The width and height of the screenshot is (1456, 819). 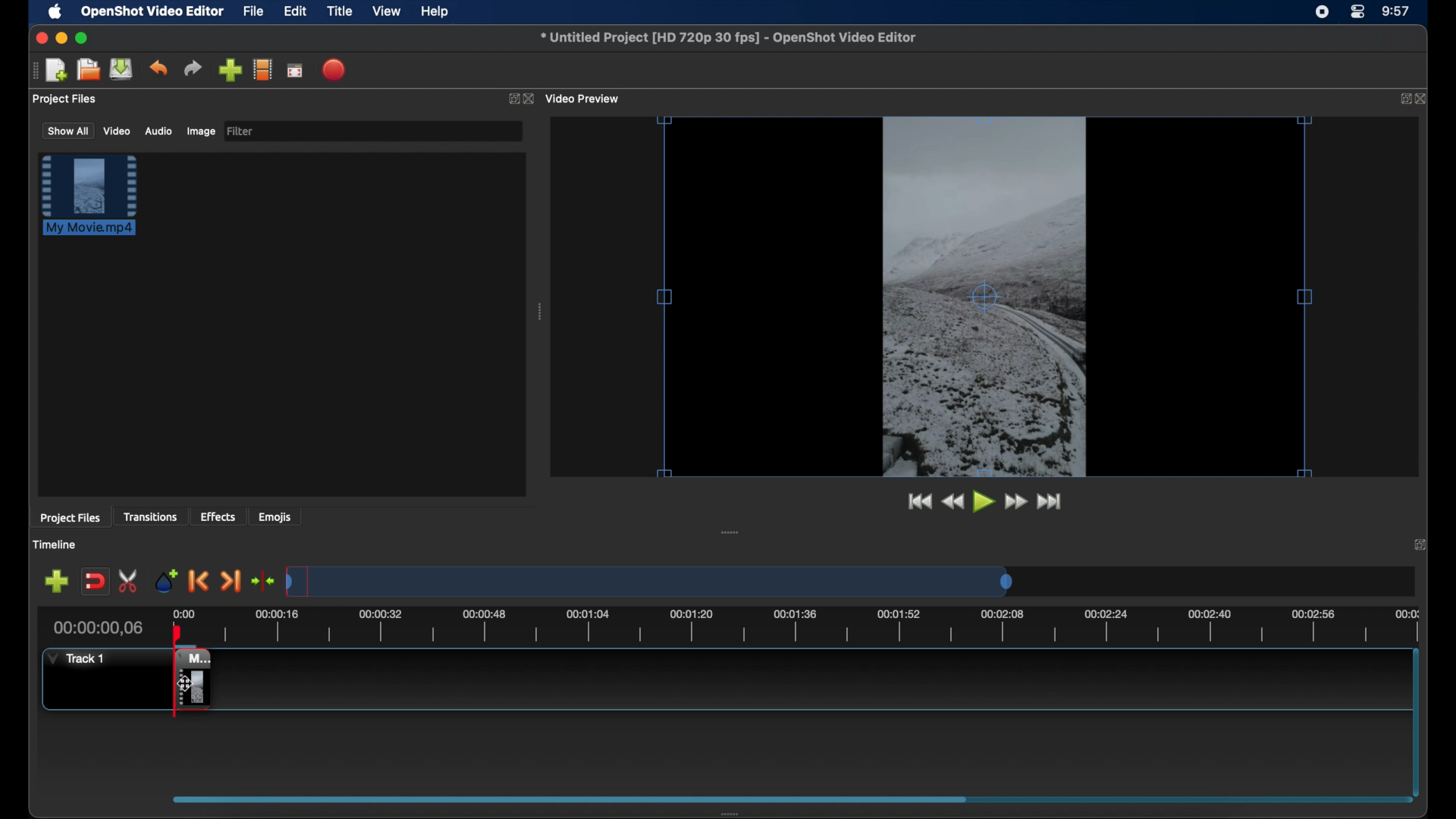 I want to click on 0.00, so click(x=184, y=613).